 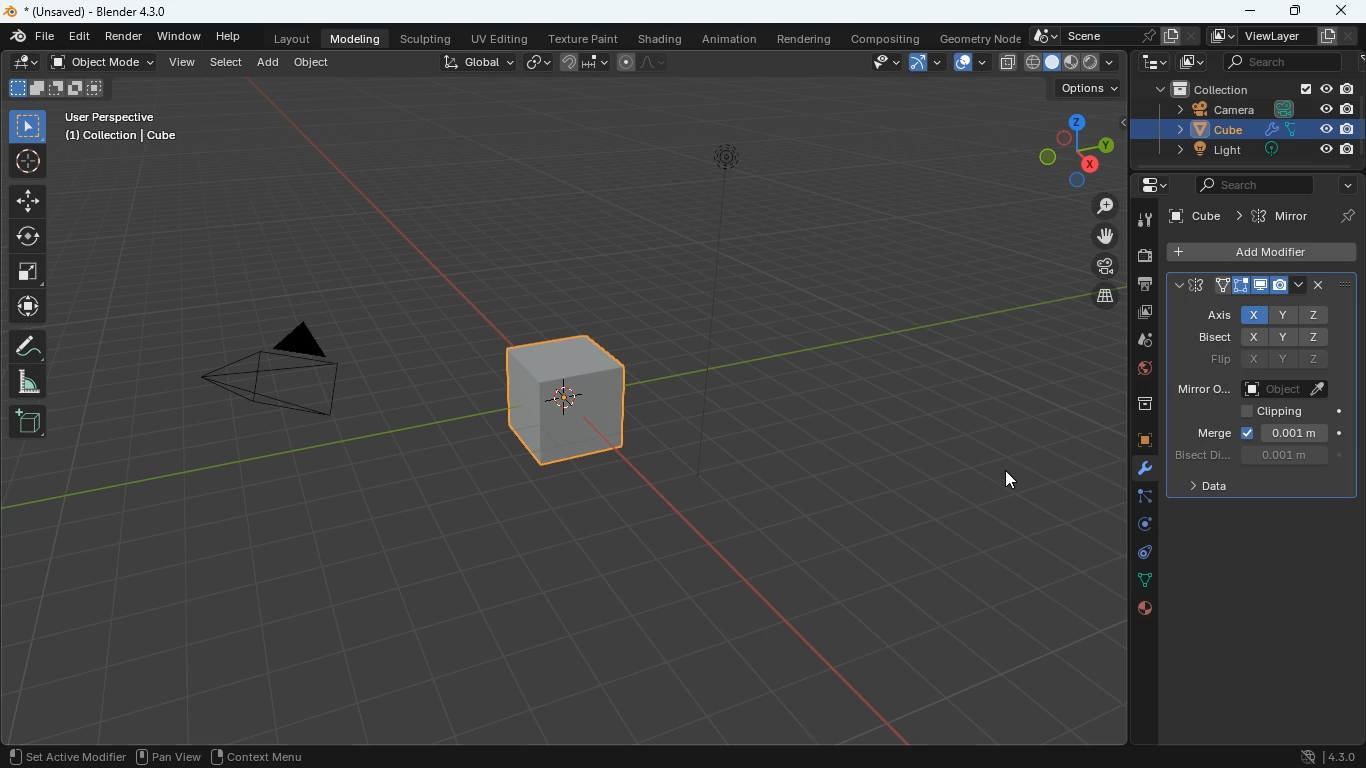 I want to click on camera, so click(x=1251, y=109).